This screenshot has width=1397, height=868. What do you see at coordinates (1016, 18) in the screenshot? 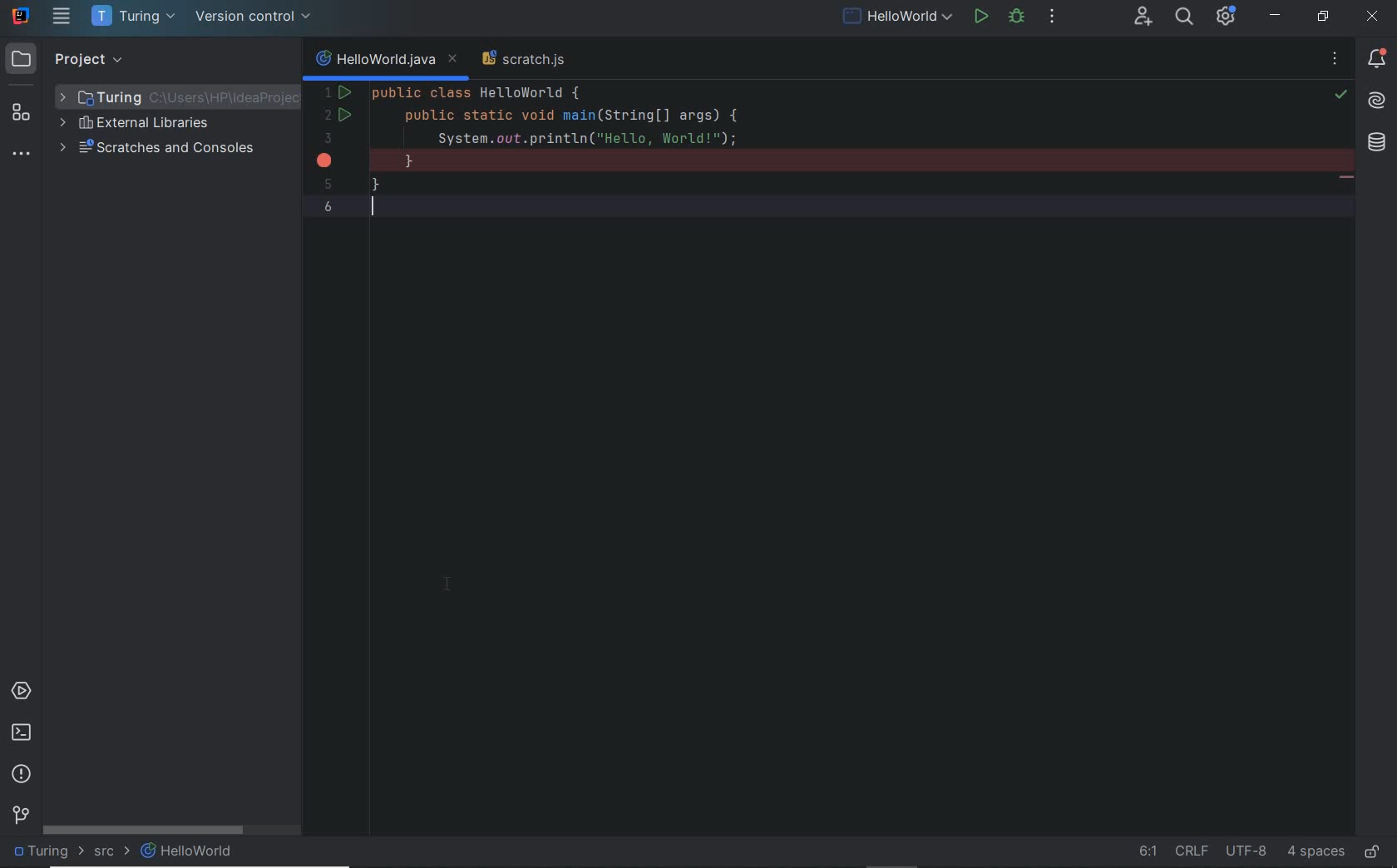
I see `debug` at bounding box center [1016, 18].